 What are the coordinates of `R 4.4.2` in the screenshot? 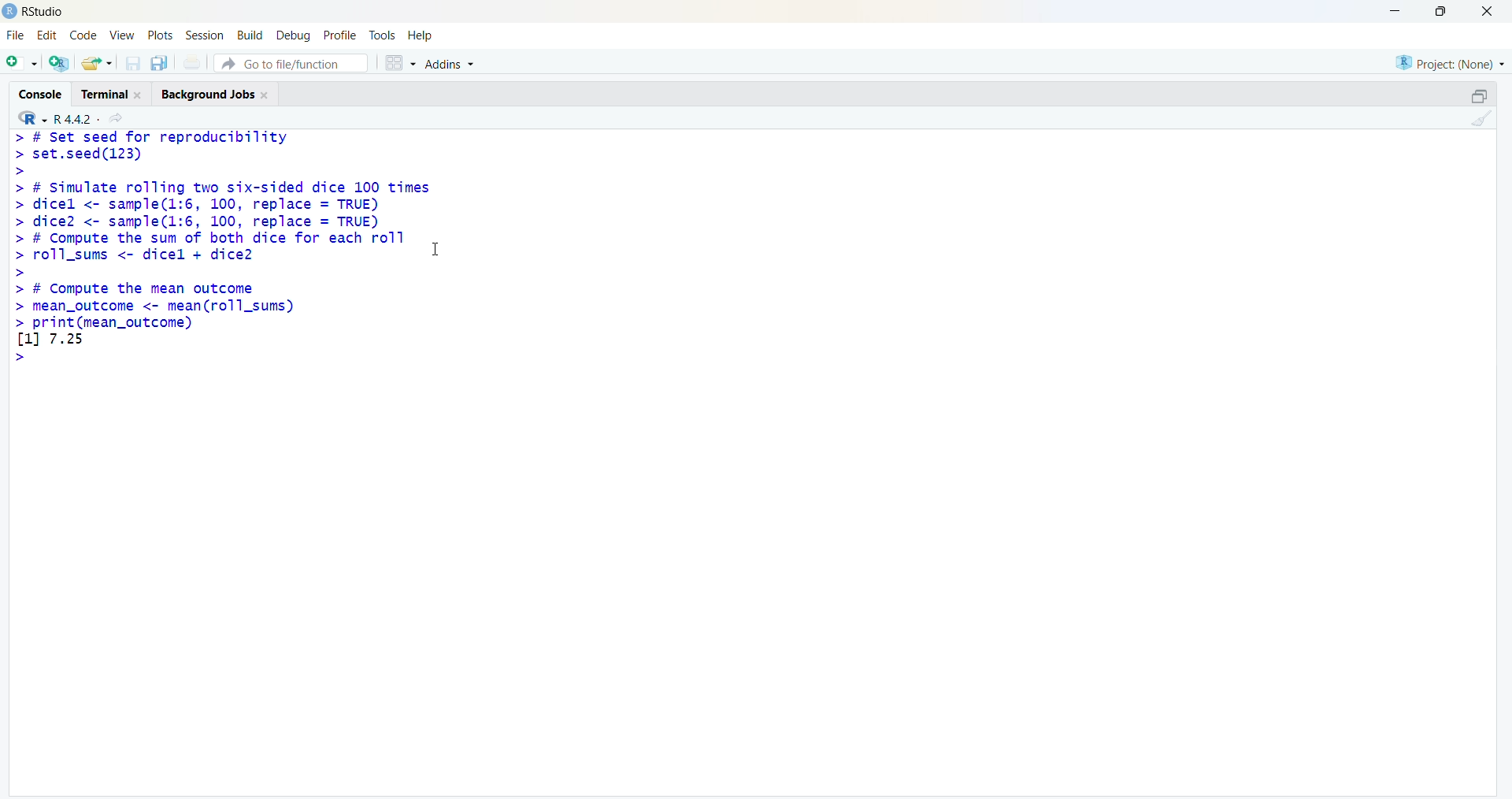 It's located at (77, 120).